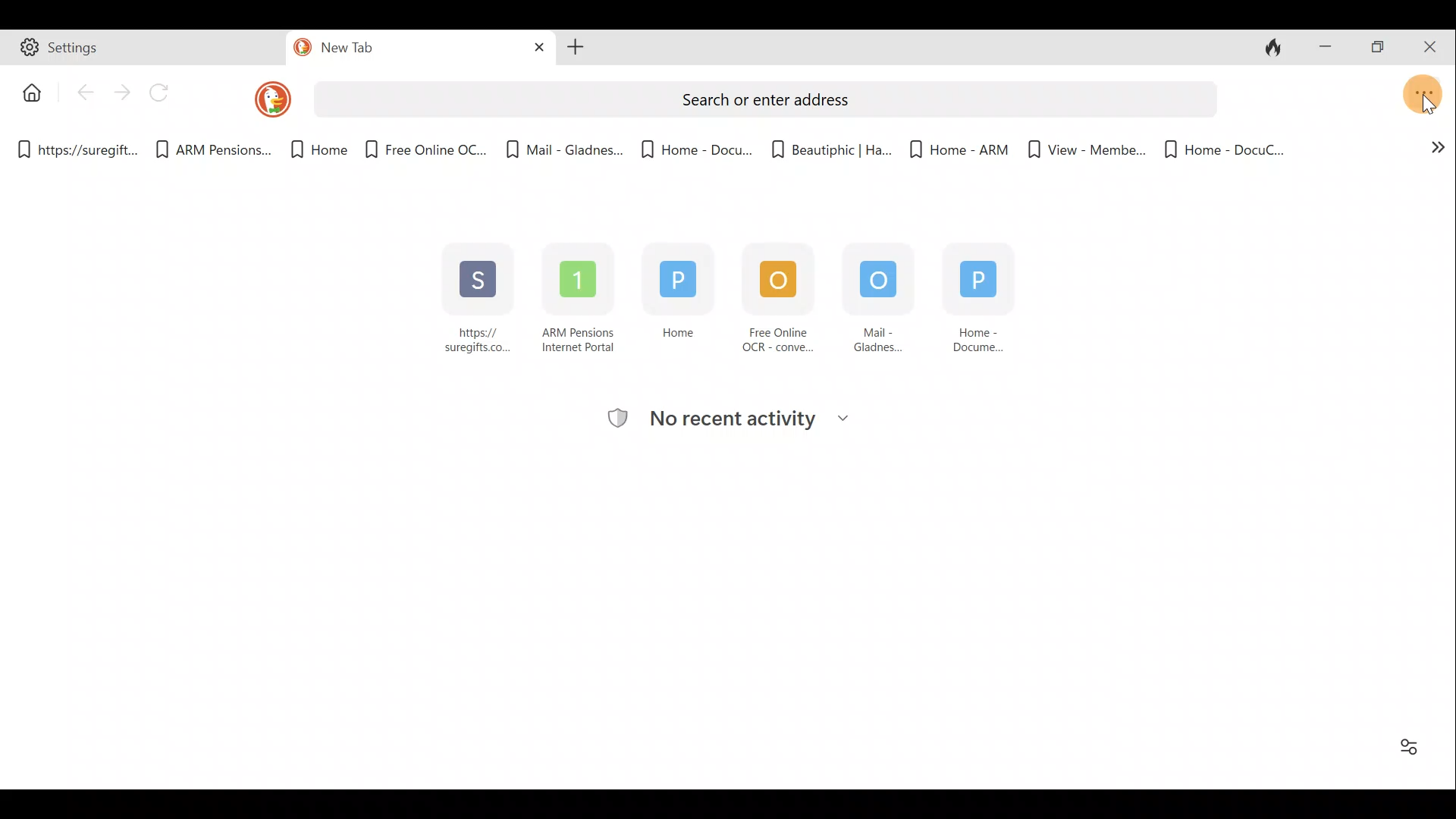 This screenshot has height=819, width=1456. I want to click on Close tab, so click(536, 45).